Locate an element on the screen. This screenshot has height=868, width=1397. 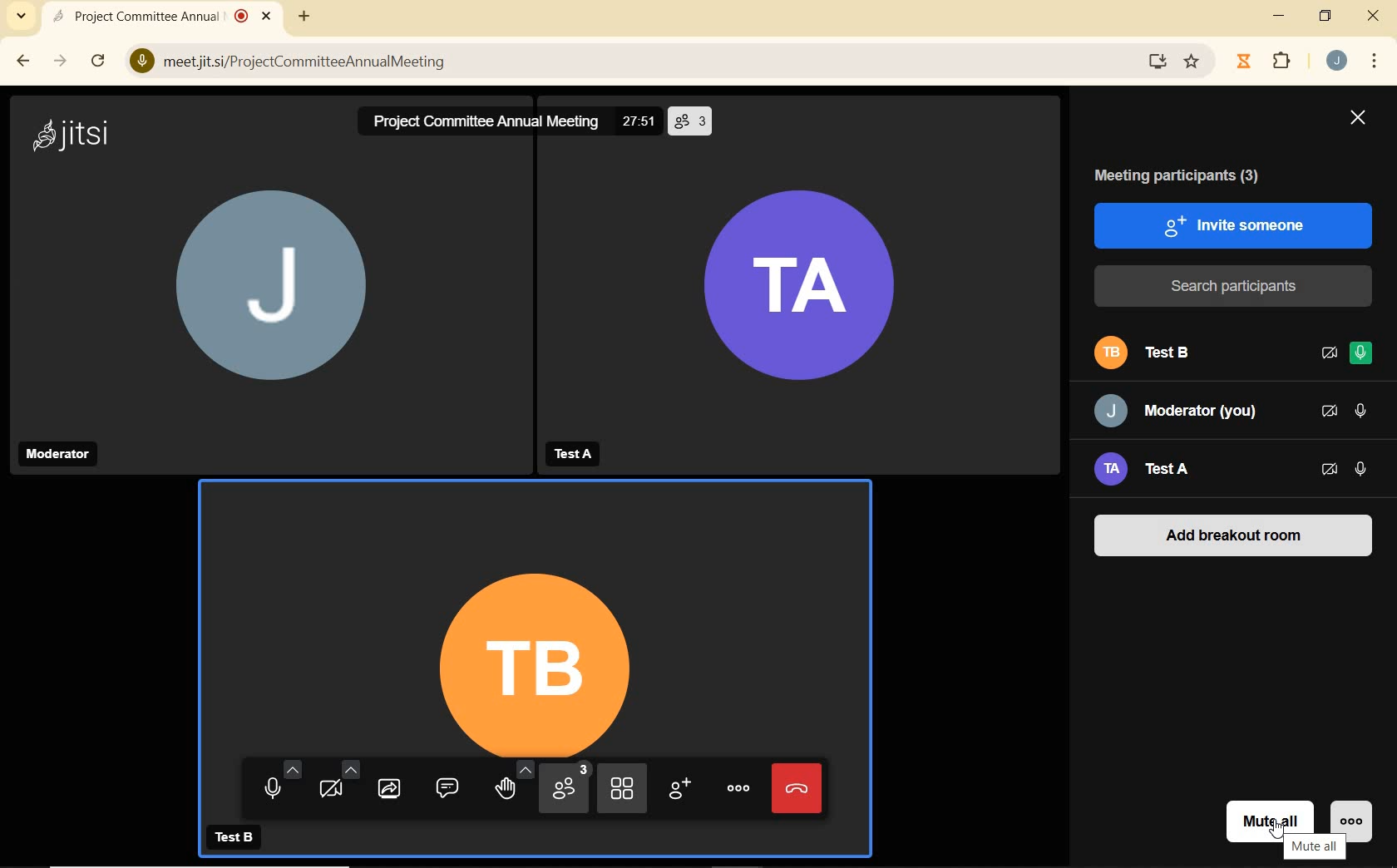
J is located at coordinates (285, 300).